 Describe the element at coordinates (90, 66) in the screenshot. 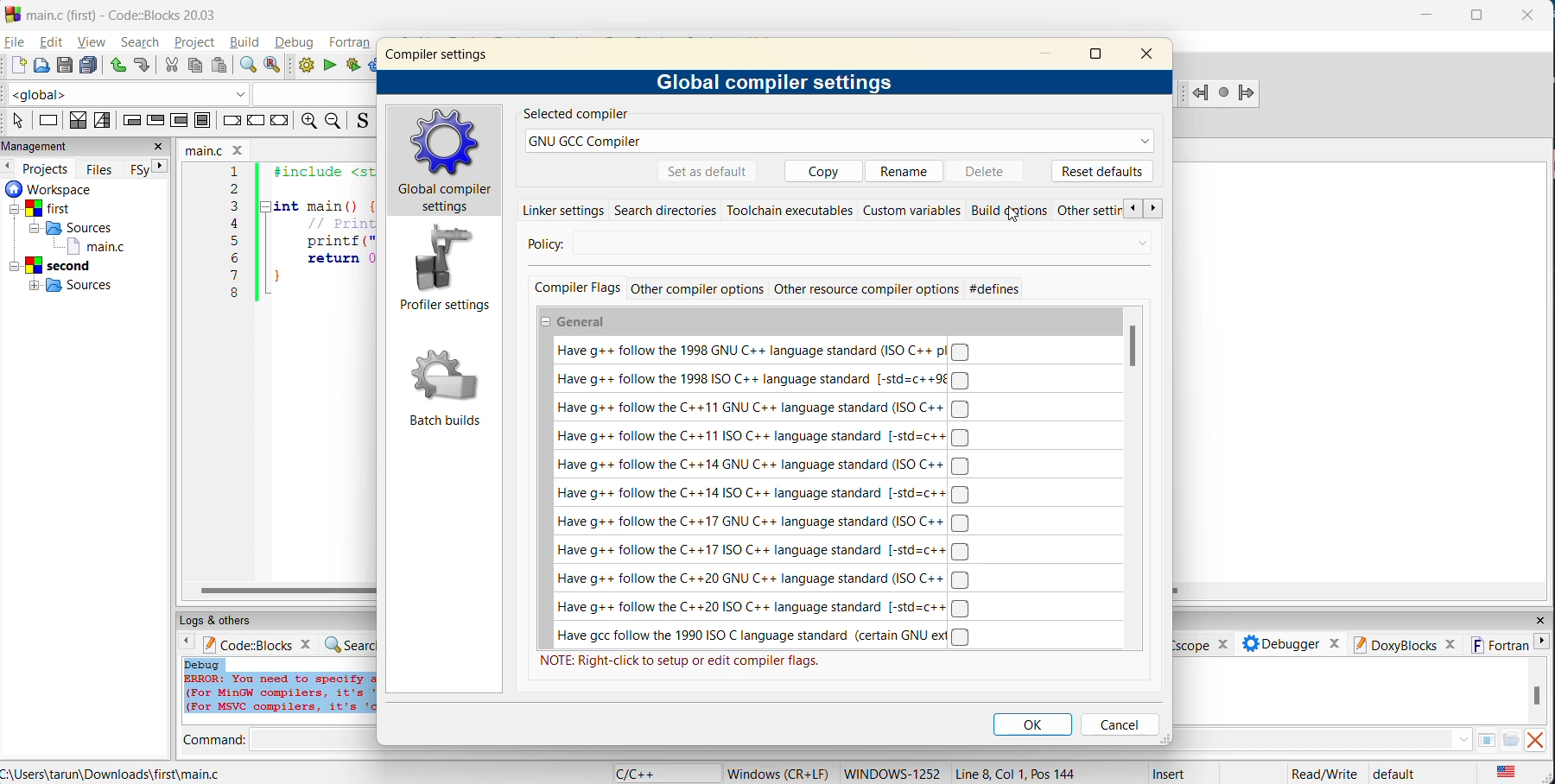

I see `save all` at that location.